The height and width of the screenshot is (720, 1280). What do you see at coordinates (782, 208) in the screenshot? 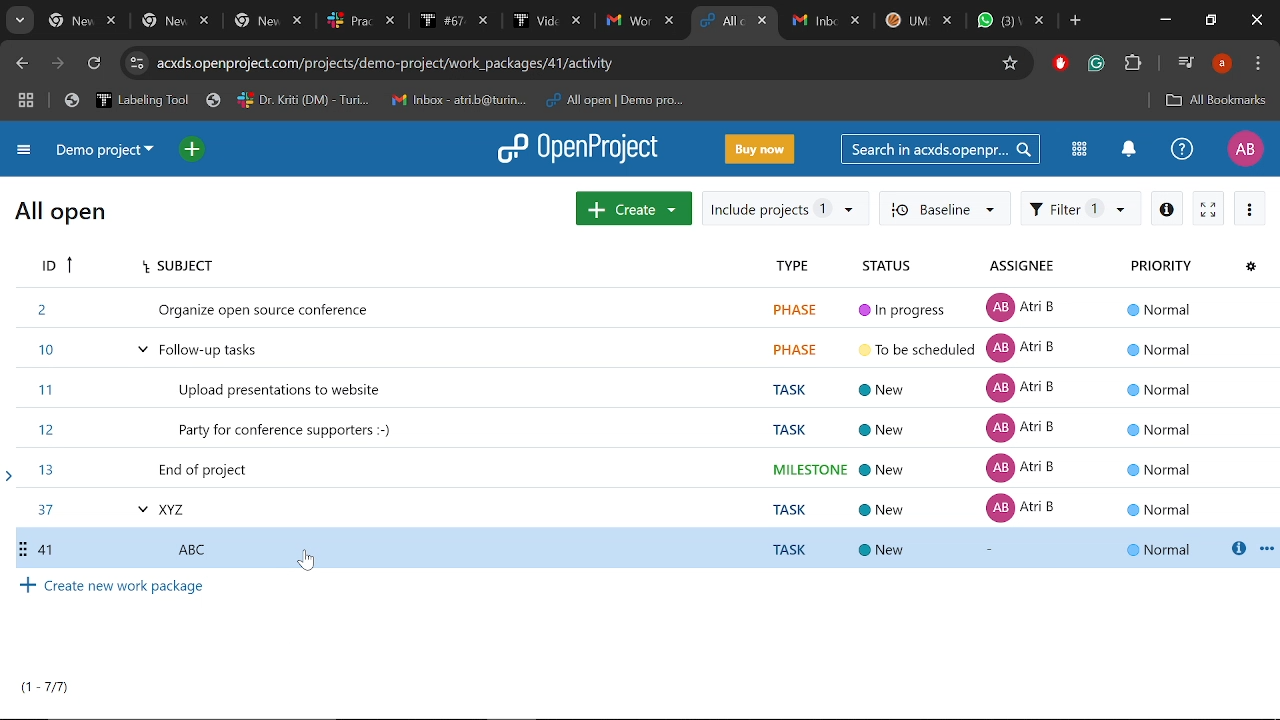
I see `Include projects` at bounding box center [782, 208].